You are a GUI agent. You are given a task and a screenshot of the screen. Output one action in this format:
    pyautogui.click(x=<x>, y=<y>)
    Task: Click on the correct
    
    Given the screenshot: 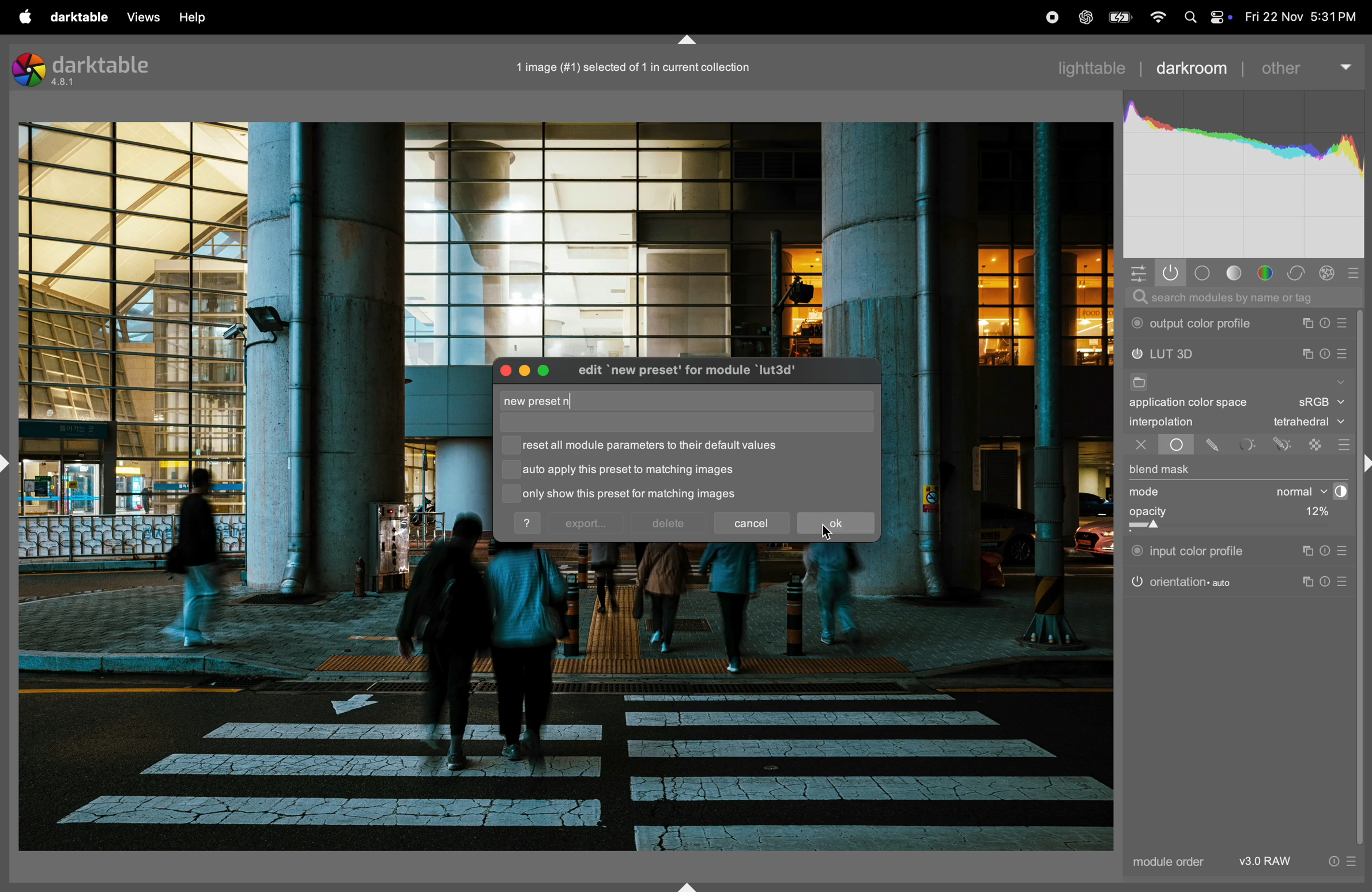 What is the action you would take?
    pyautogui.click(x=1329, y=273)
    